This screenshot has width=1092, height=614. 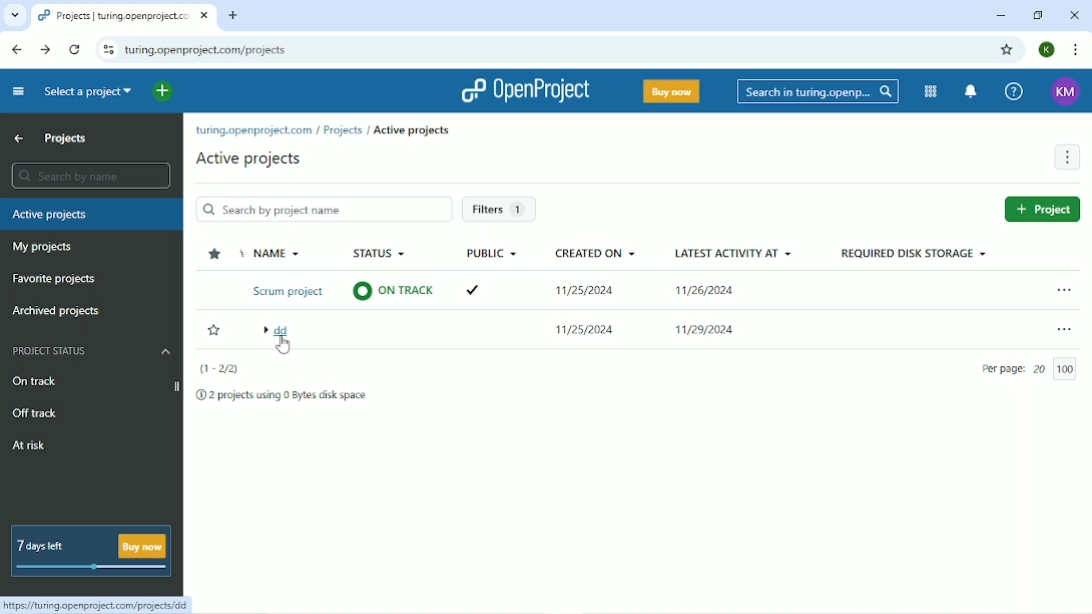 What do you see at coordinates (706, 291) in the screenshot?
I see `date` at bounding box center [706, 291].